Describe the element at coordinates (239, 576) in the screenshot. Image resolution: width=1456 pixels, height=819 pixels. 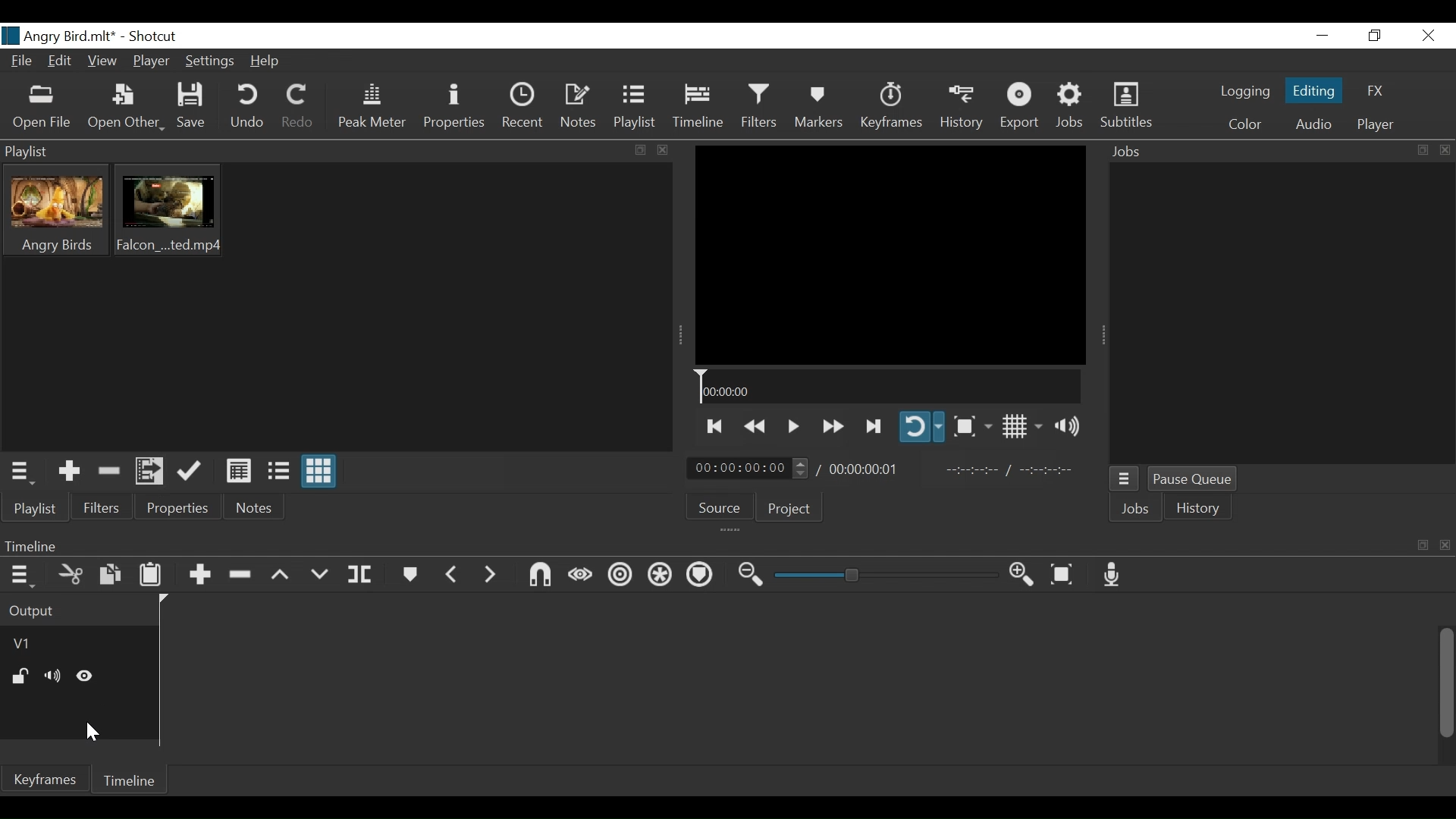
I see `Ripple Delete` at that location.